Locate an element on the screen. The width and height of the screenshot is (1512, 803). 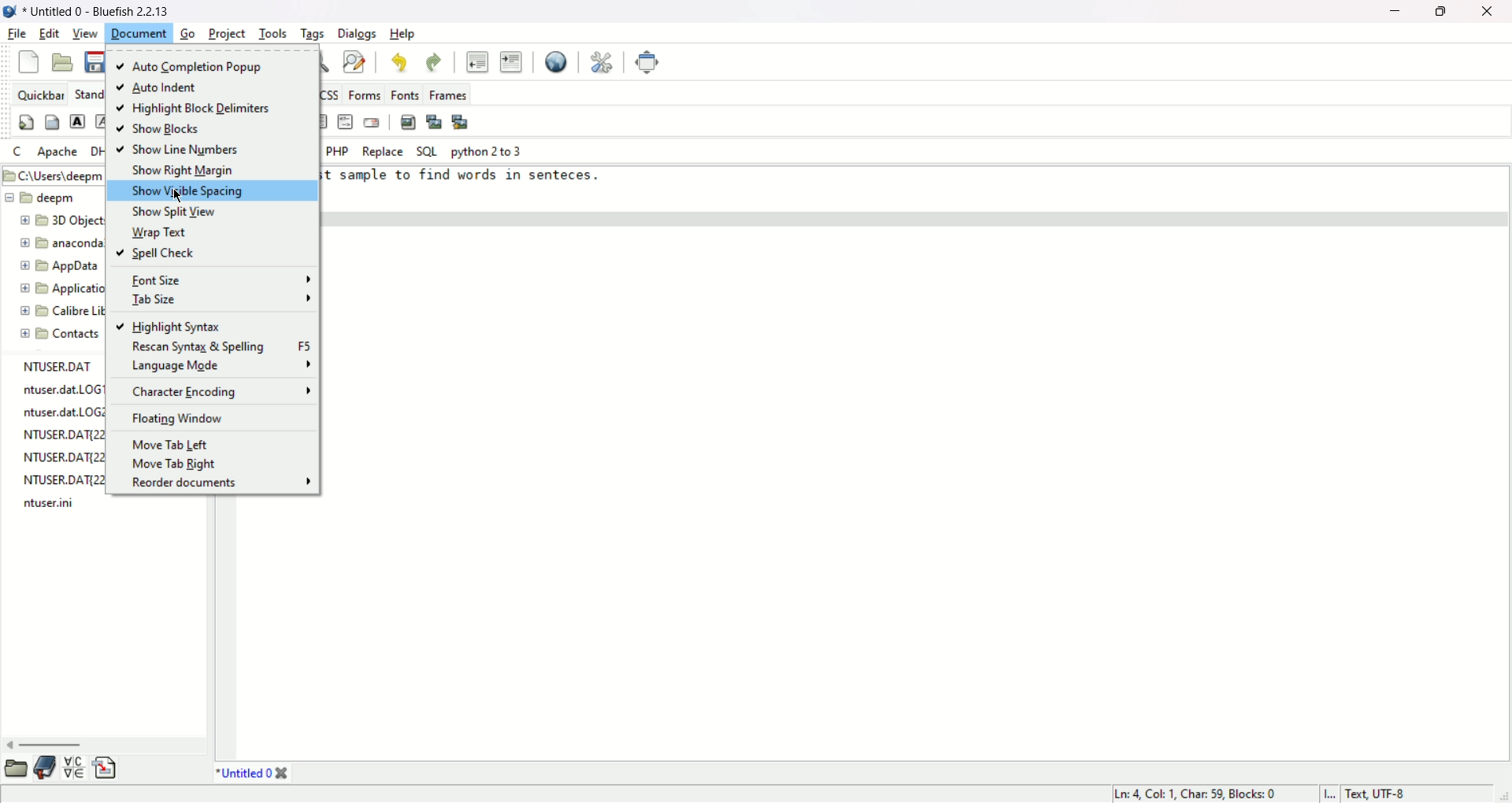
PHP is located at coordinates (335, 150).